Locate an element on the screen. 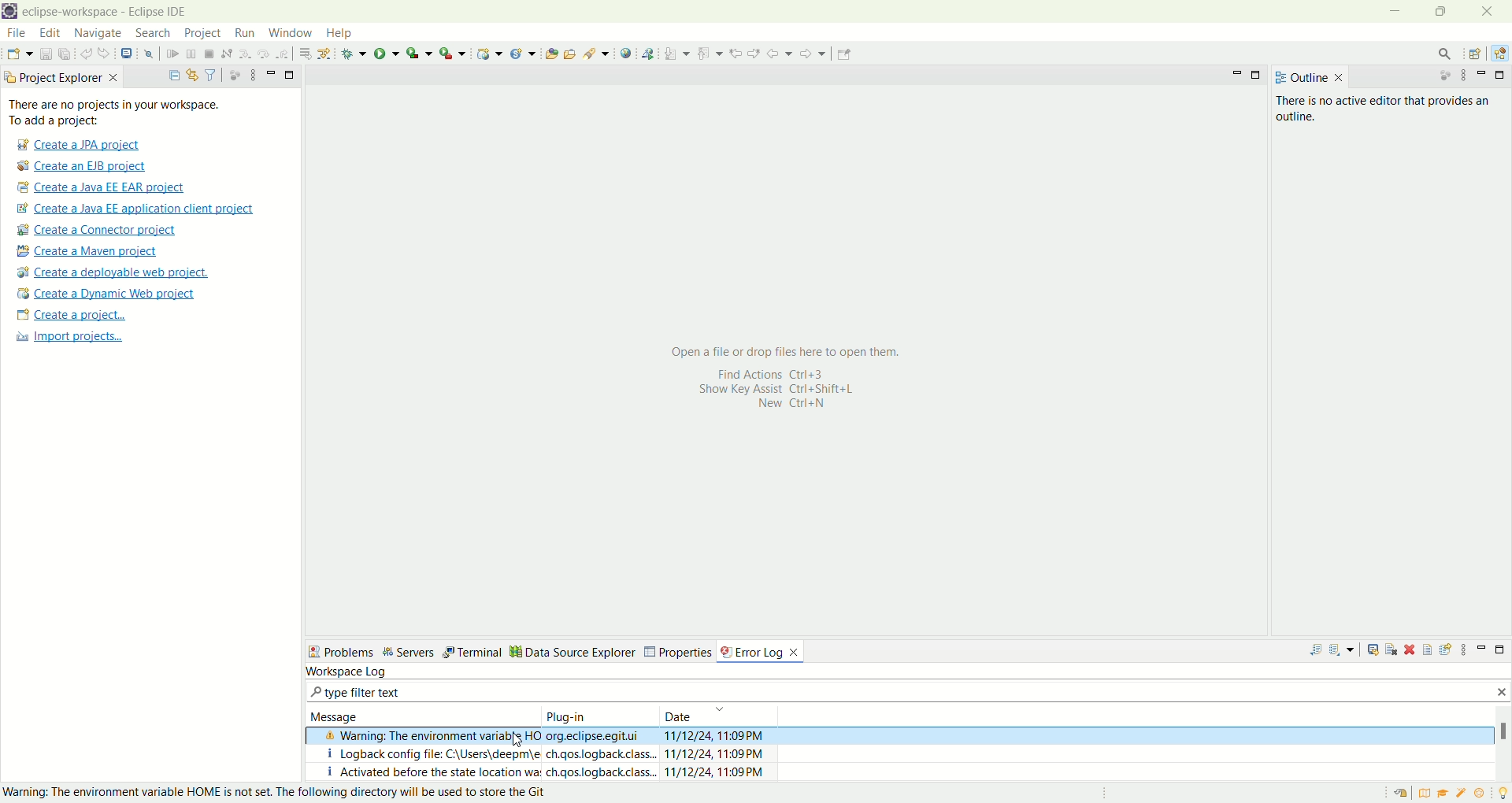 This screenshot has height=803, width=1512. tip of the day is located at coordinates (1502, 794).